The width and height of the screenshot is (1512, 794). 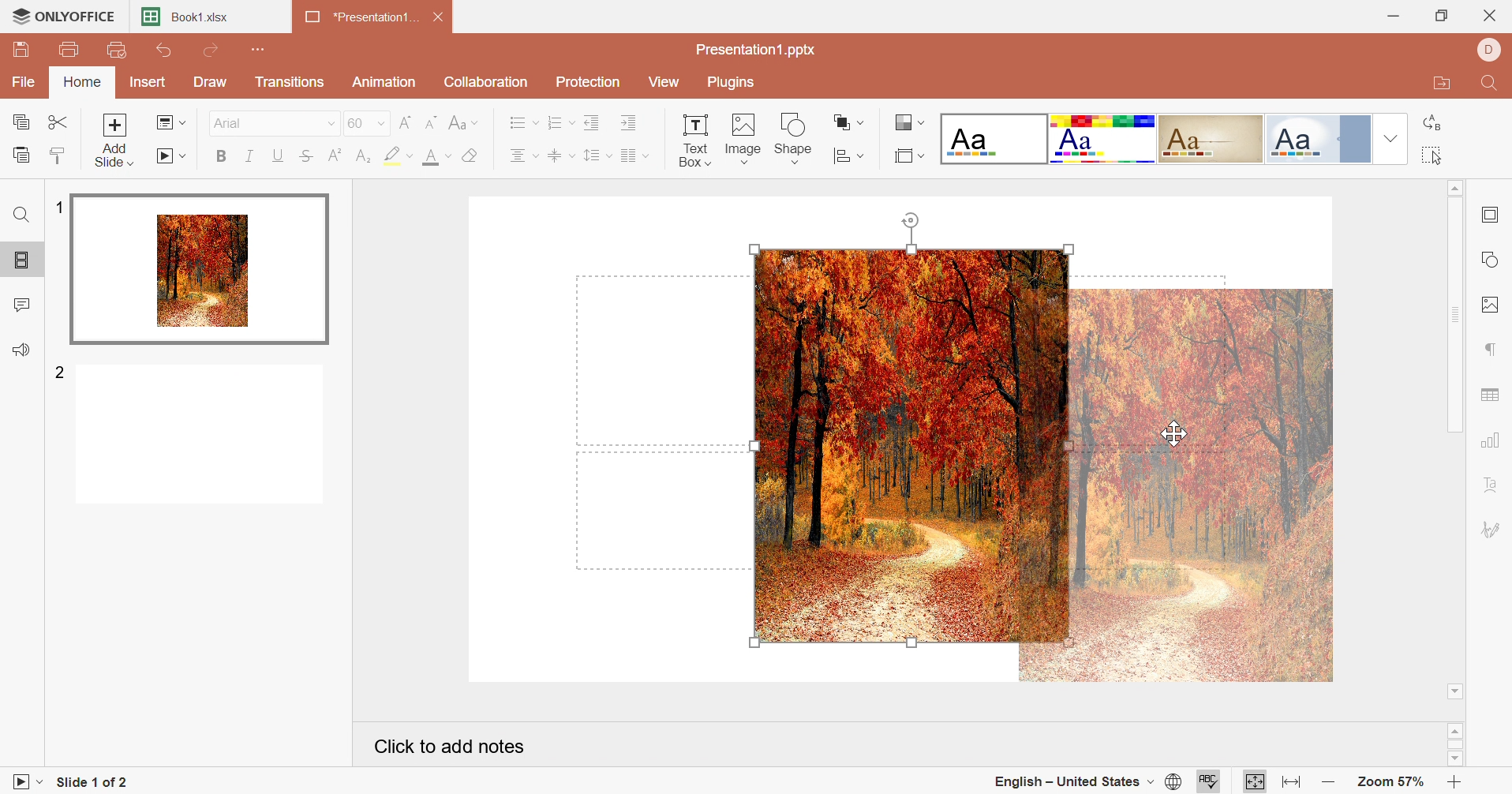 What do you see at coordinates (18, 47) in the screenshot?
I see `Save` at bounding box center [18, 47].